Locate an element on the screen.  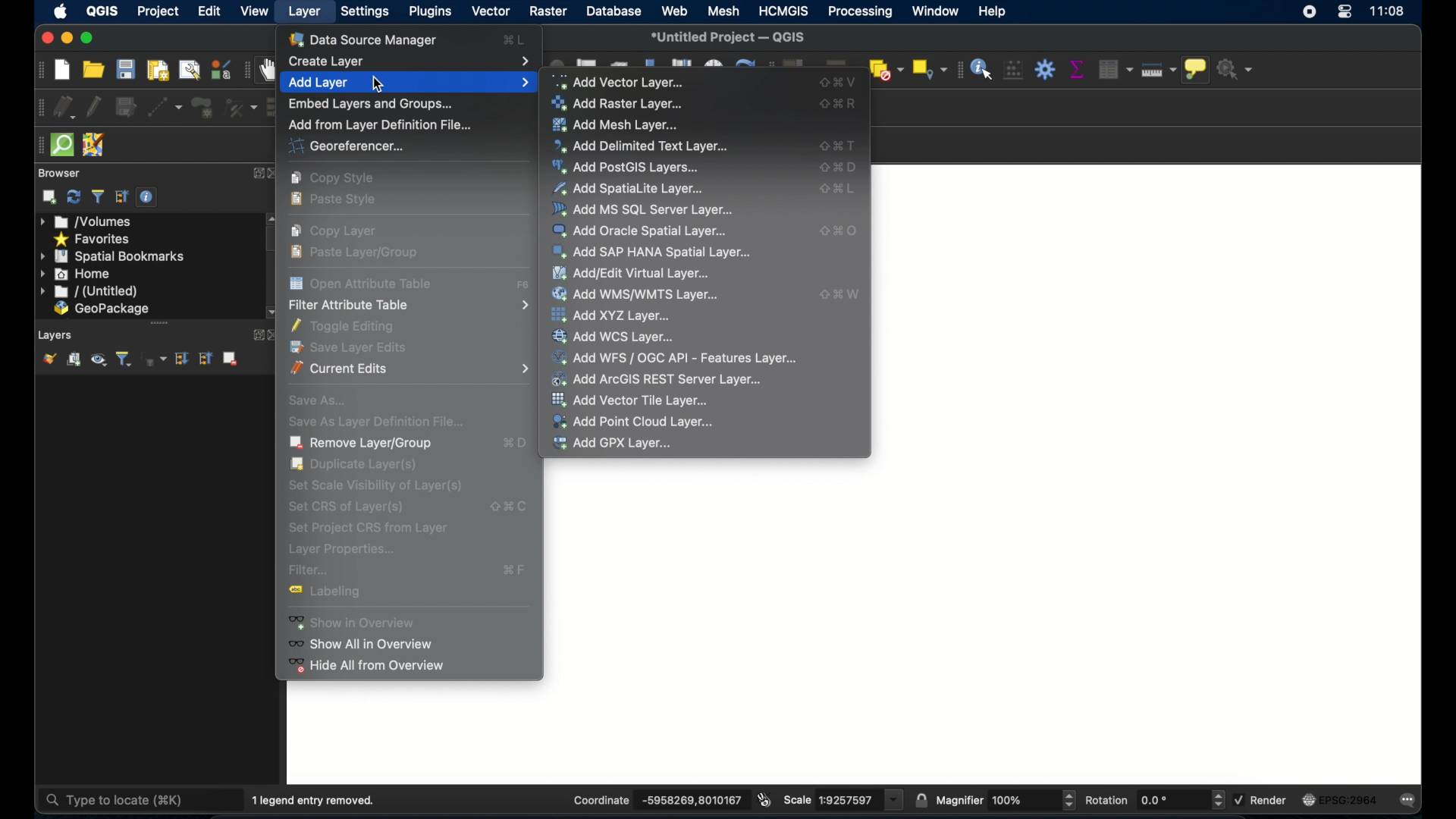
project is located at coordinates (158, 11).